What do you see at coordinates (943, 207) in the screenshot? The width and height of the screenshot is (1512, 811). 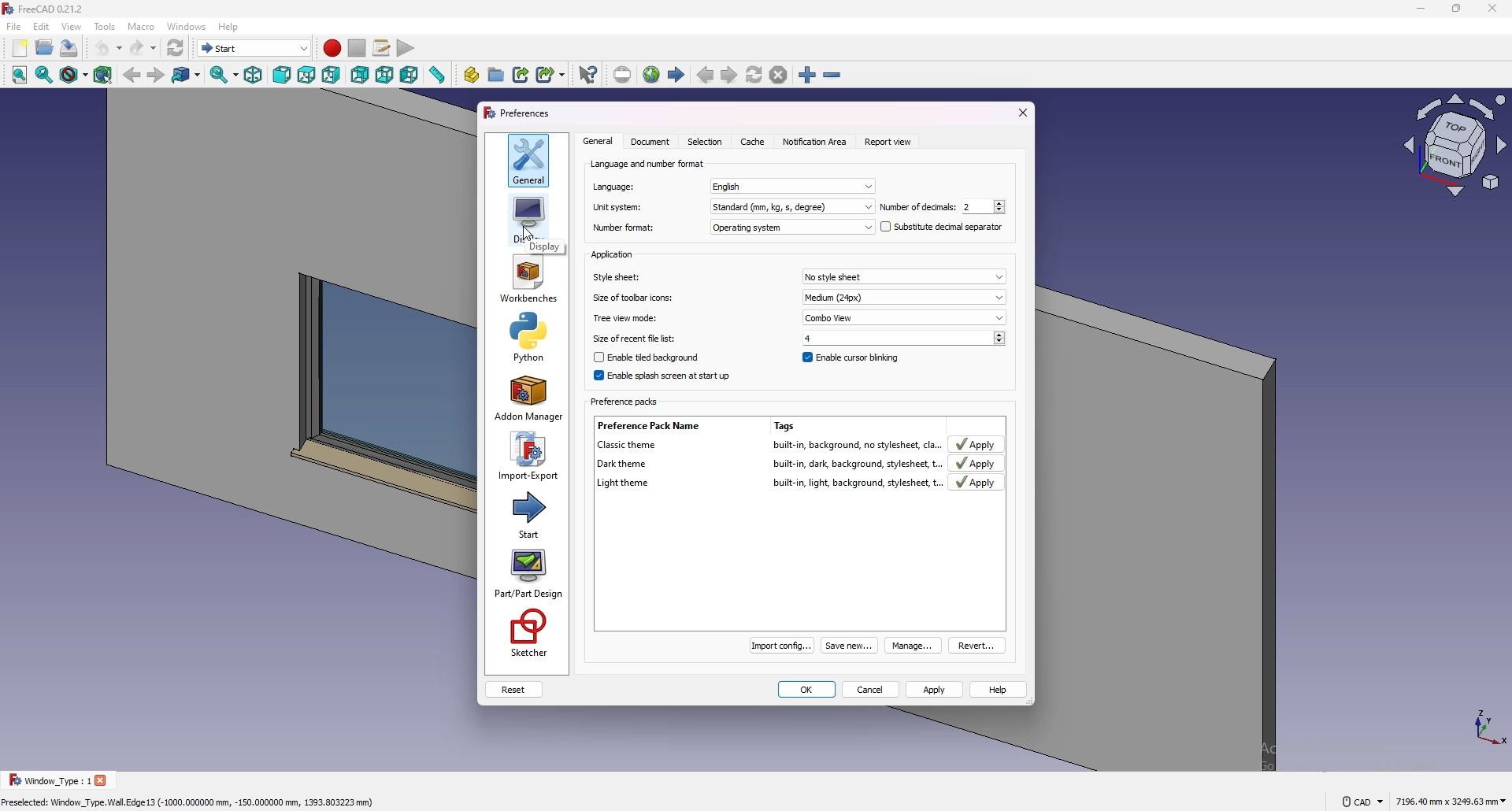 I see `Number of decimals: 2` at bounding box center [943, 207].